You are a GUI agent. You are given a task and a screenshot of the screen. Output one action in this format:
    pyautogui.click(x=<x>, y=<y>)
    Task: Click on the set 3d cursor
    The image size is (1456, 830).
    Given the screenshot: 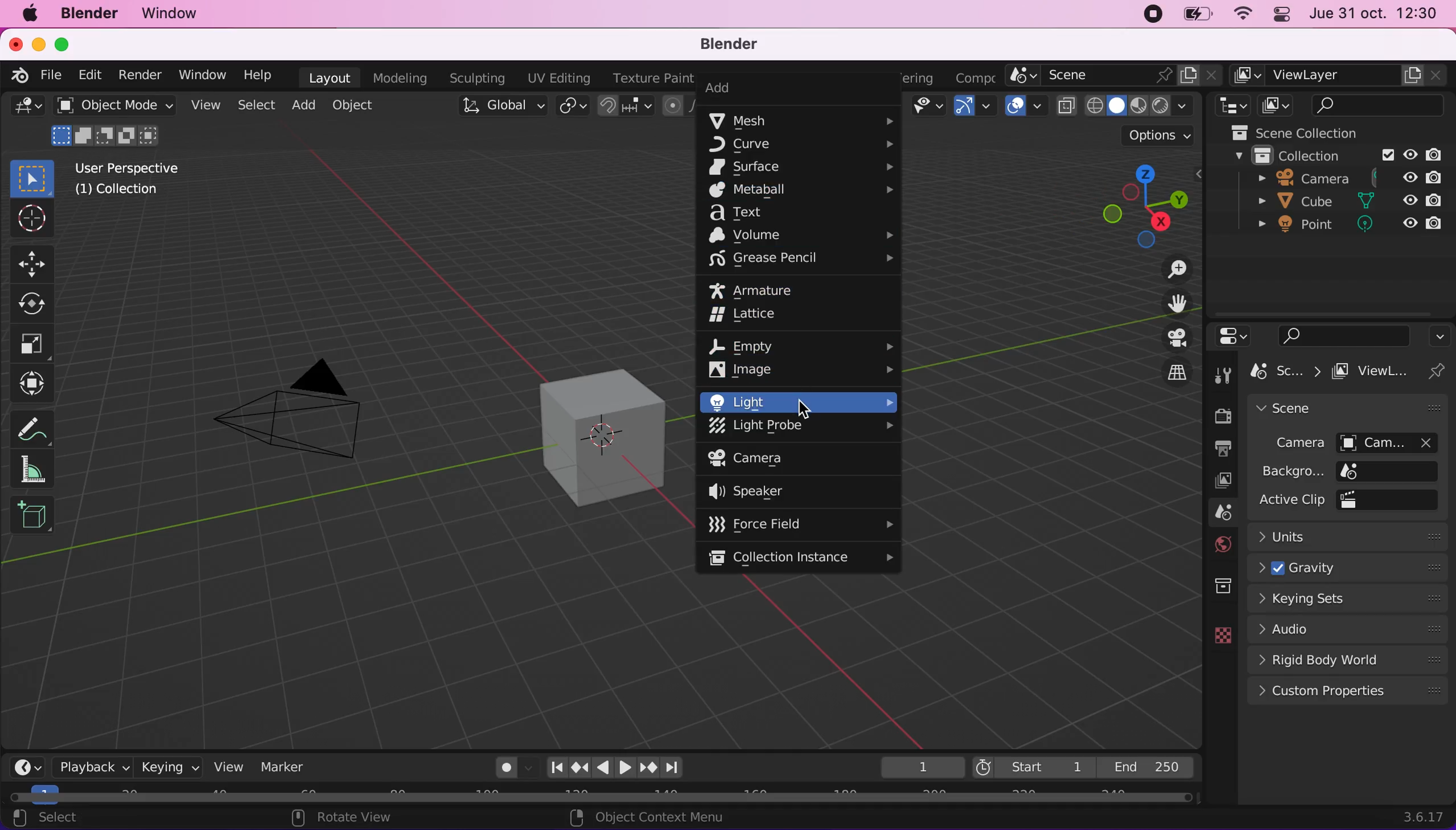 What is the action you would take?
    pyautogui.click(x=636, y=817)
    